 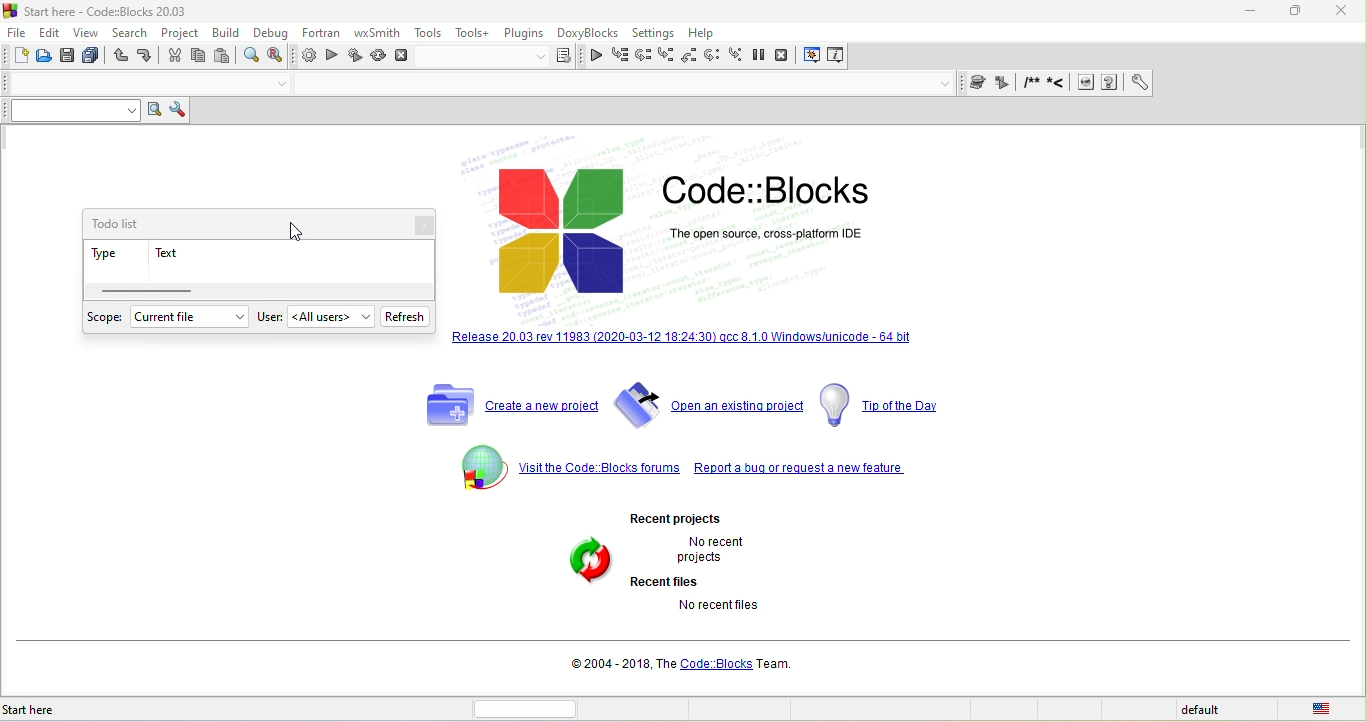 I want to click on drop down, so click(x=946, y=84).